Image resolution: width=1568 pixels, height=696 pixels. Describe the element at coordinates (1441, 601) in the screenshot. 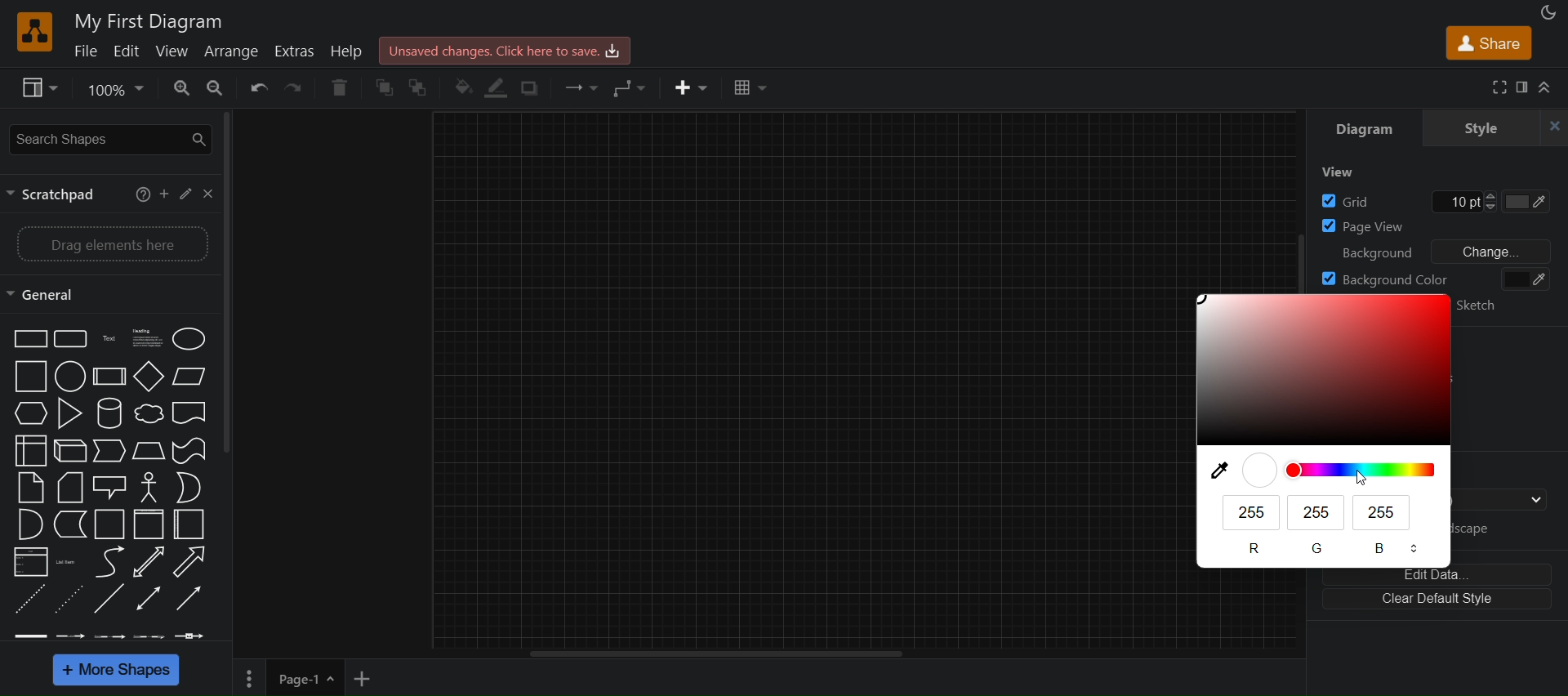

I see `clear default style` at that location.